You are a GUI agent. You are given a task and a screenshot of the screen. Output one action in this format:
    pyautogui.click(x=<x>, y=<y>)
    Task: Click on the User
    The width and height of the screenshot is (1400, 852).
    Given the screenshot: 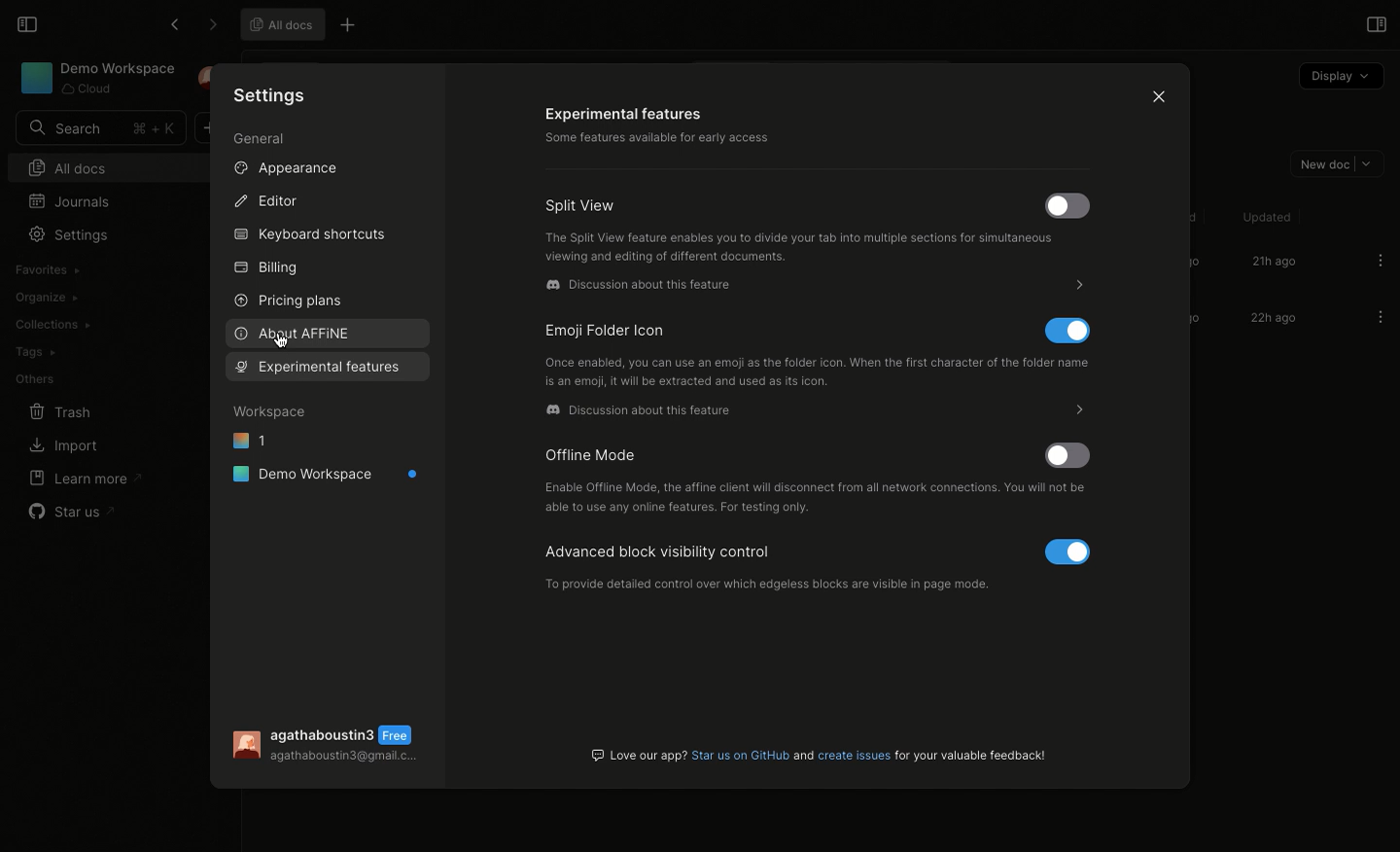 What is the action you would take?
    pyautogui.click(x=332, y=746)
    